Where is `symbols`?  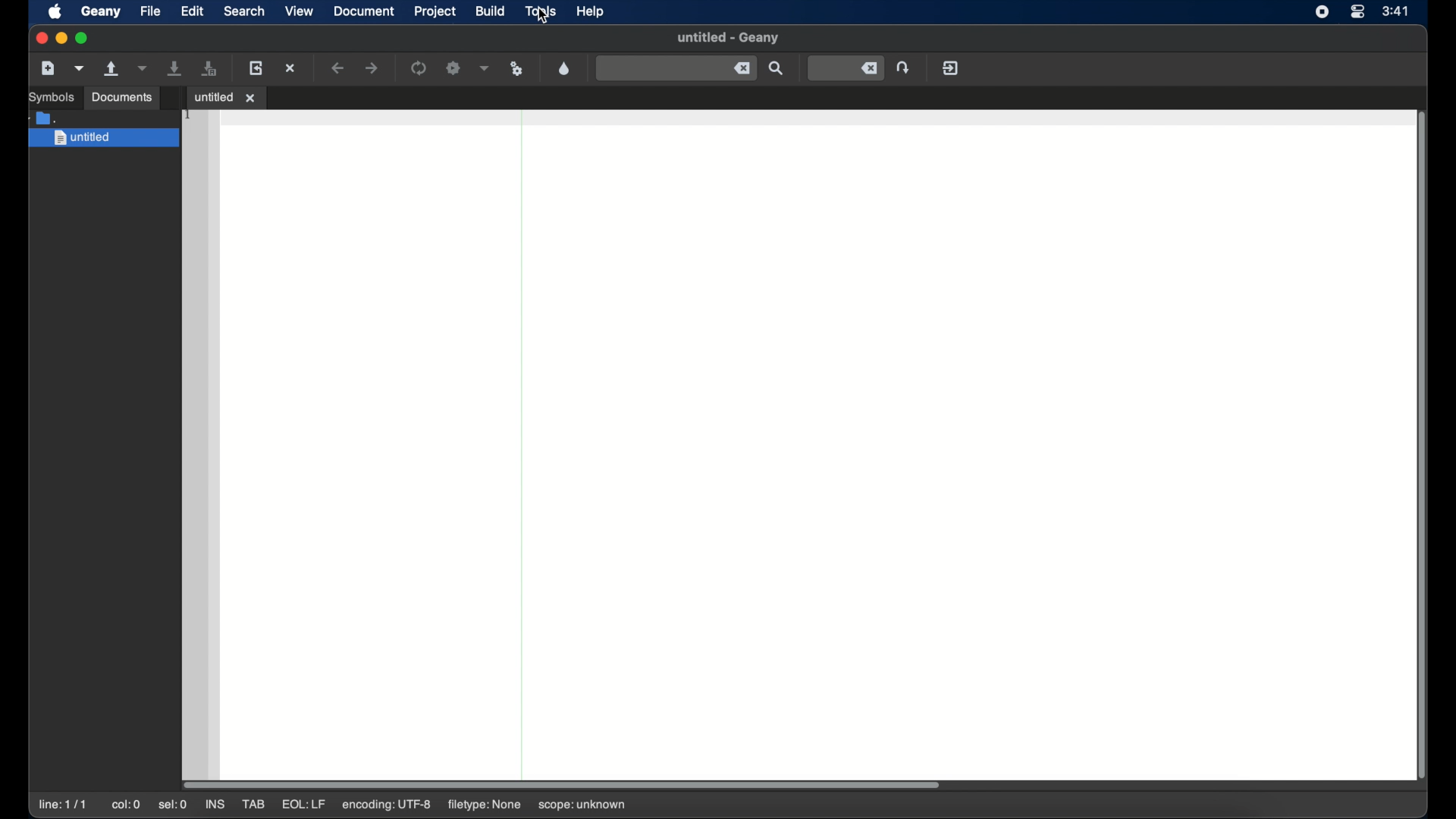
symbols is located at coordinates (50, 97).